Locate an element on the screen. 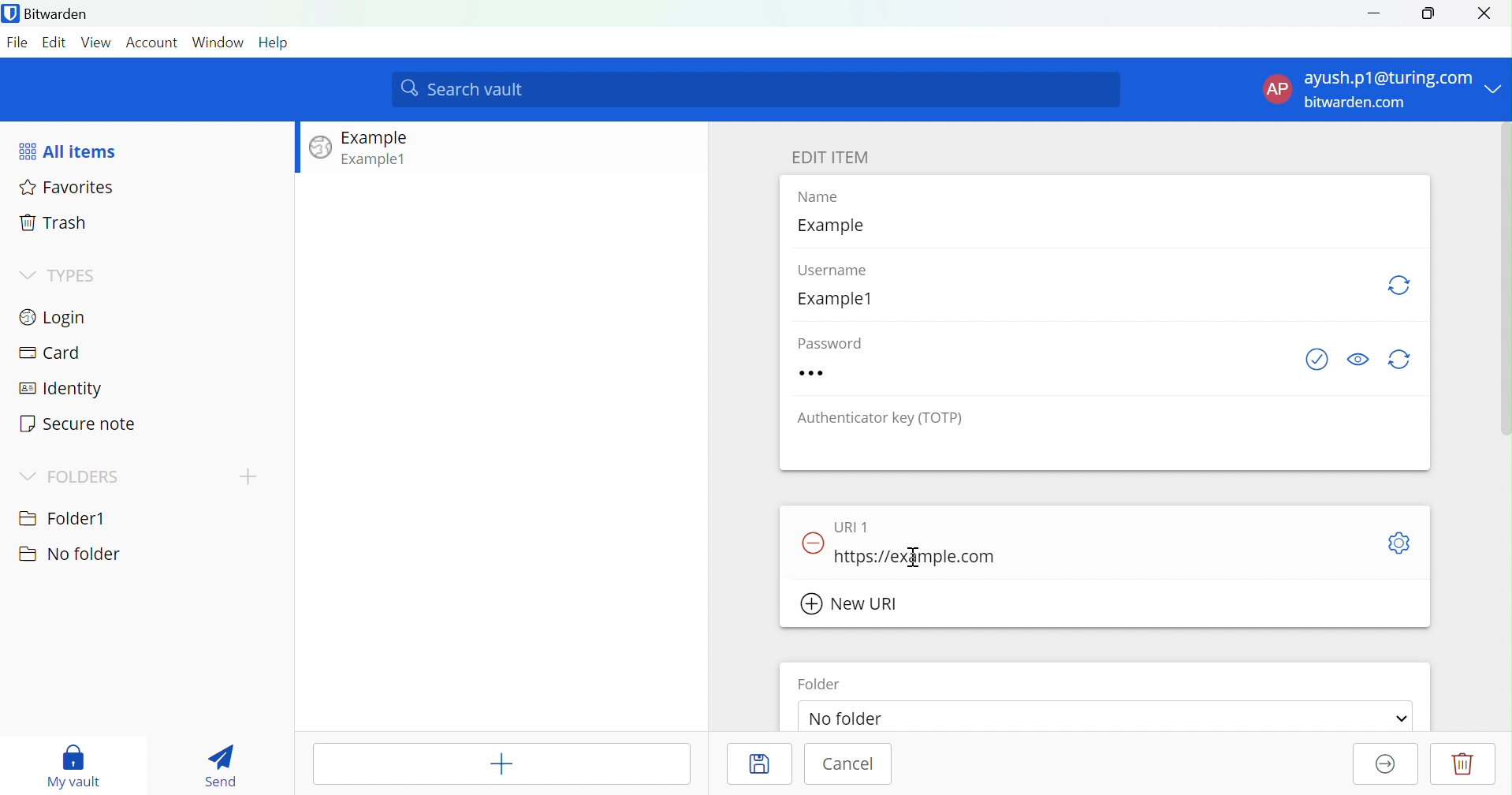  Folder1 is located at coordinates (63, 516).